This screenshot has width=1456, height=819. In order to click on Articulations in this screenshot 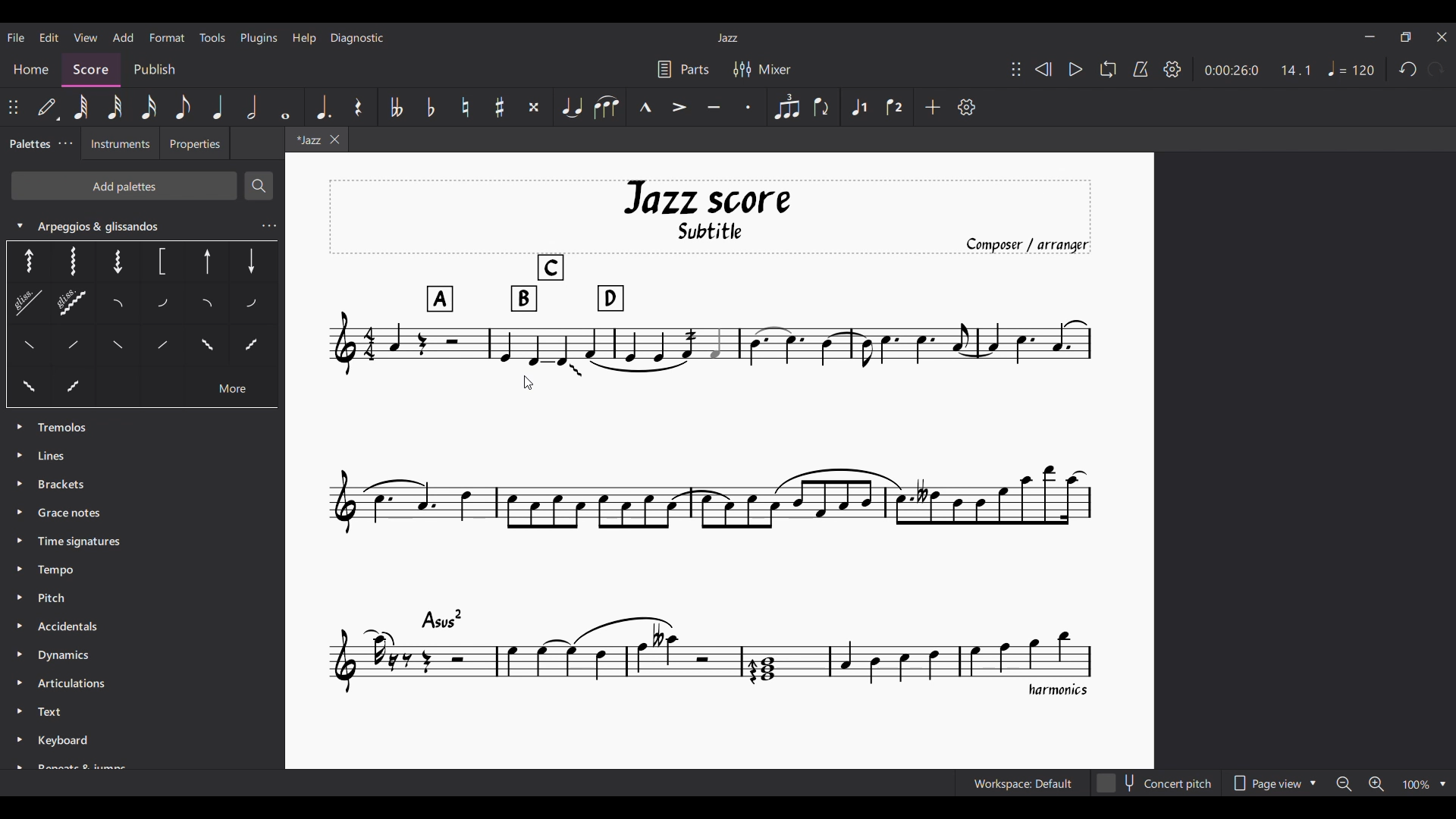, I will do `click(70, 682)`.